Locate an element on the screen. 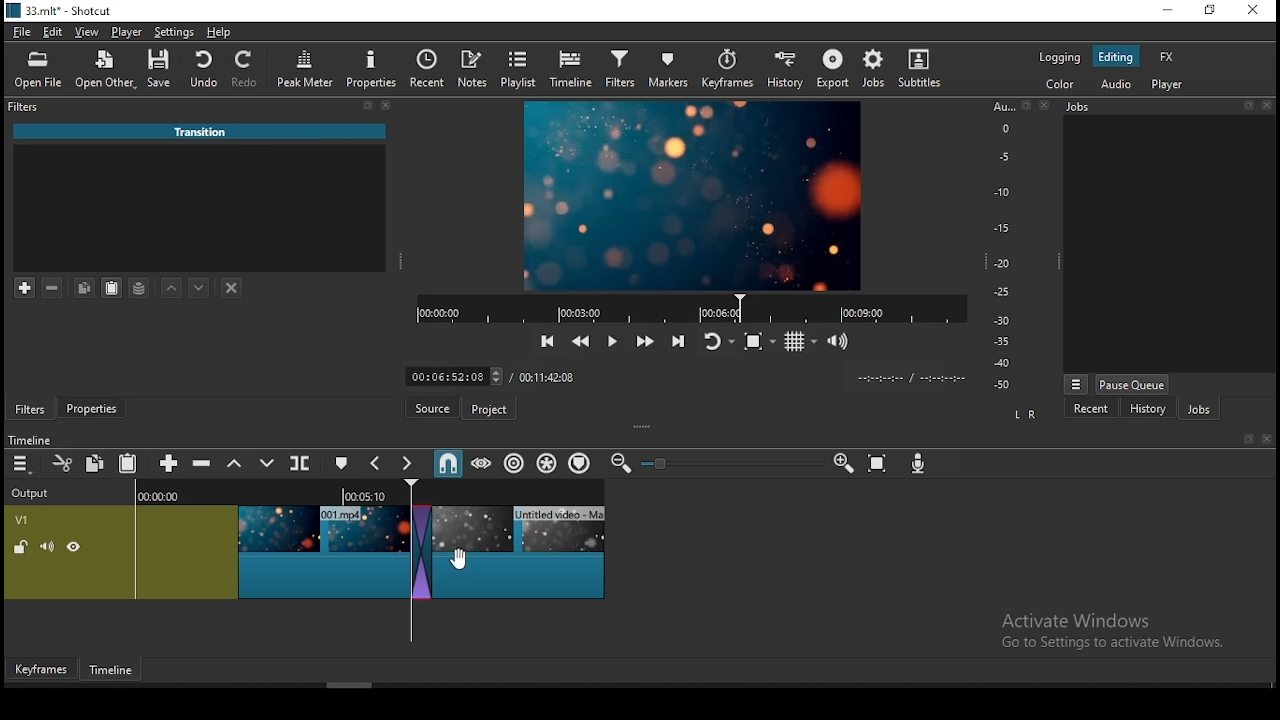  scroll bar is located at coordinates (351, 684).